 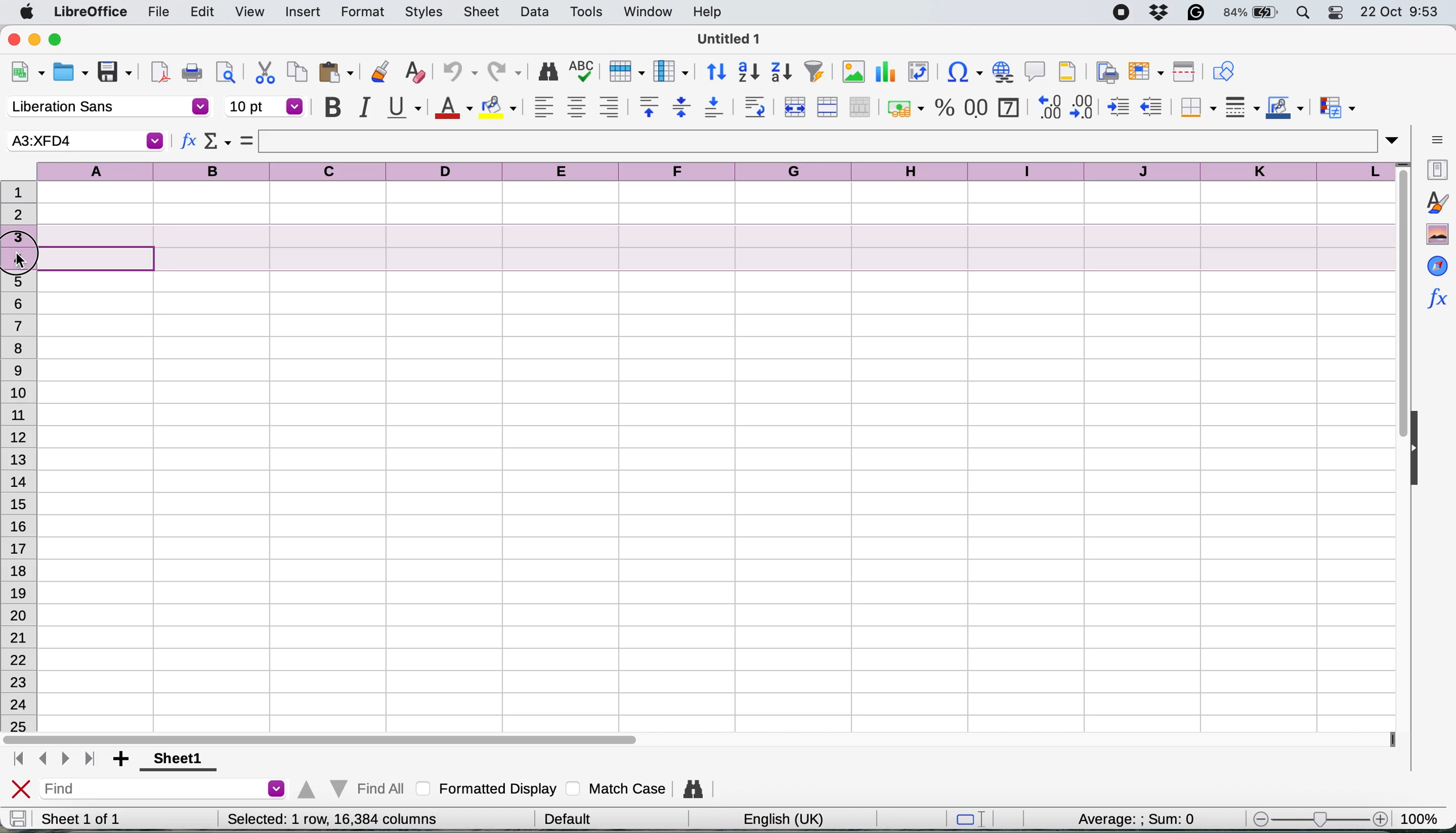 I want to click on text color, so click(x=452, y=108).